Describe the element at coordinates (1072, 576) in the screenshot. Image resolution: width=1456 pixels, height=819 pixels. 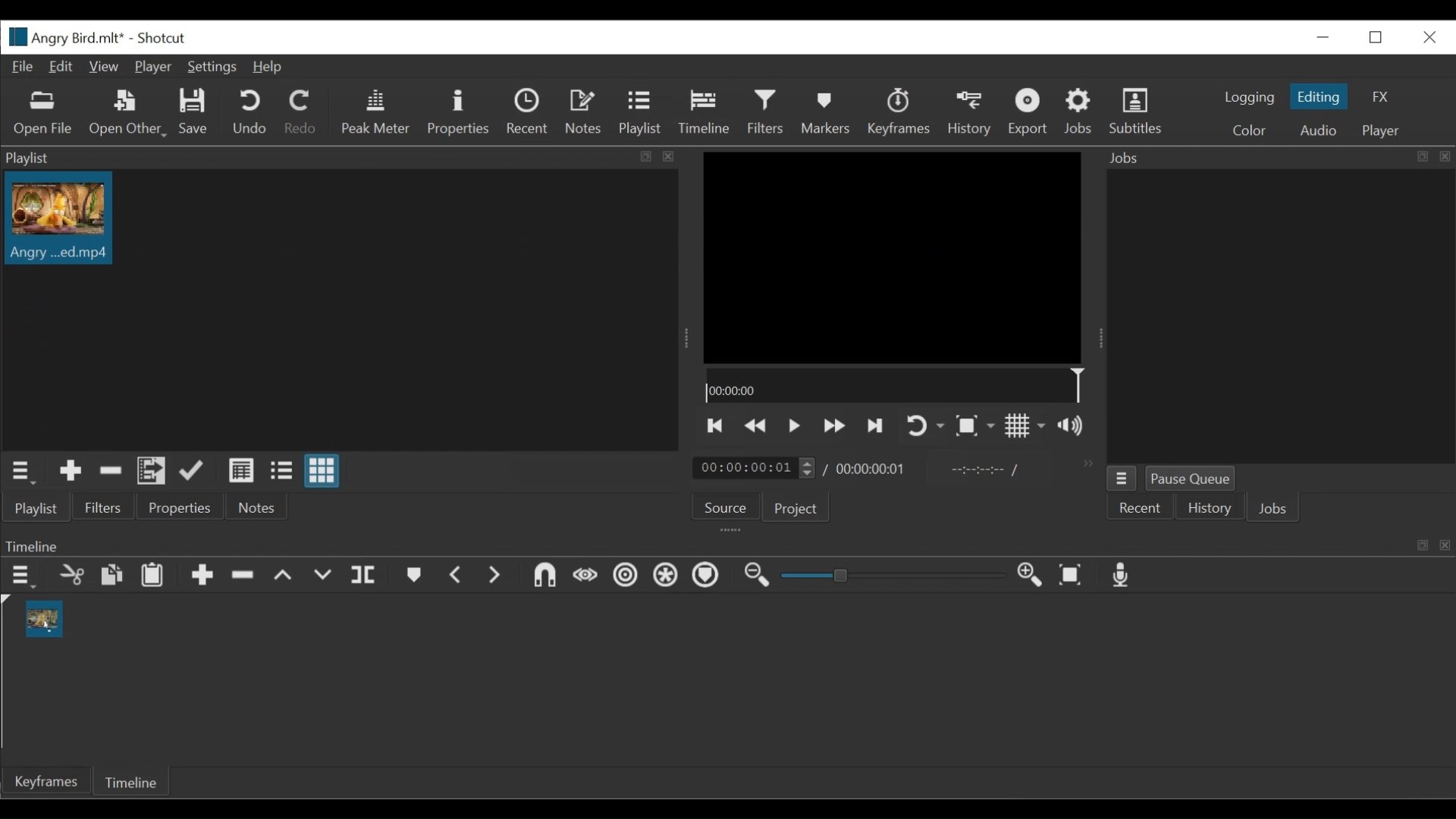
I see `Zoom timeline to fit` at that location.